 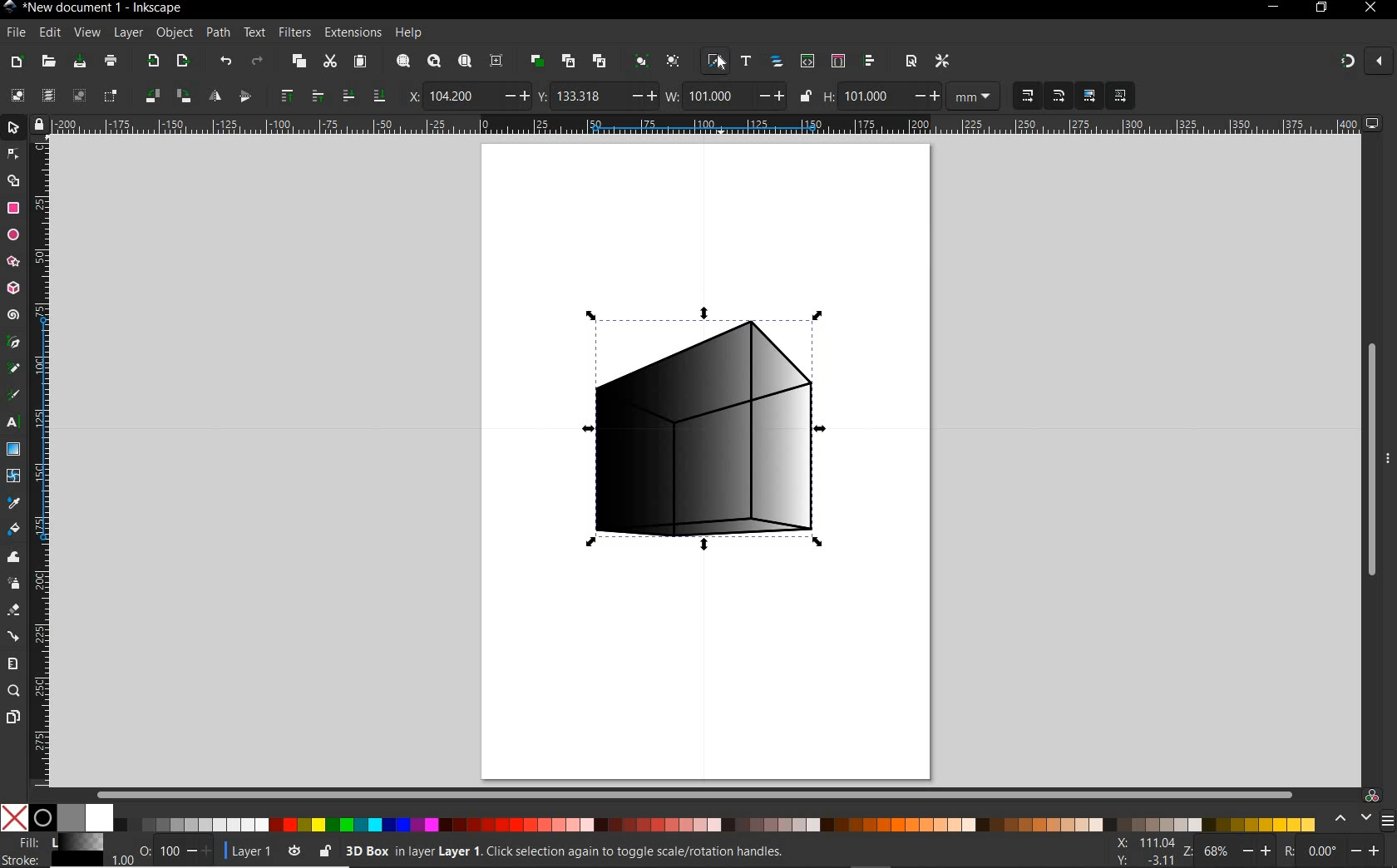 What do you see at coordinates (362, 62) in the screenshot?
I see `PASTE` at bounding box center [362, 62].